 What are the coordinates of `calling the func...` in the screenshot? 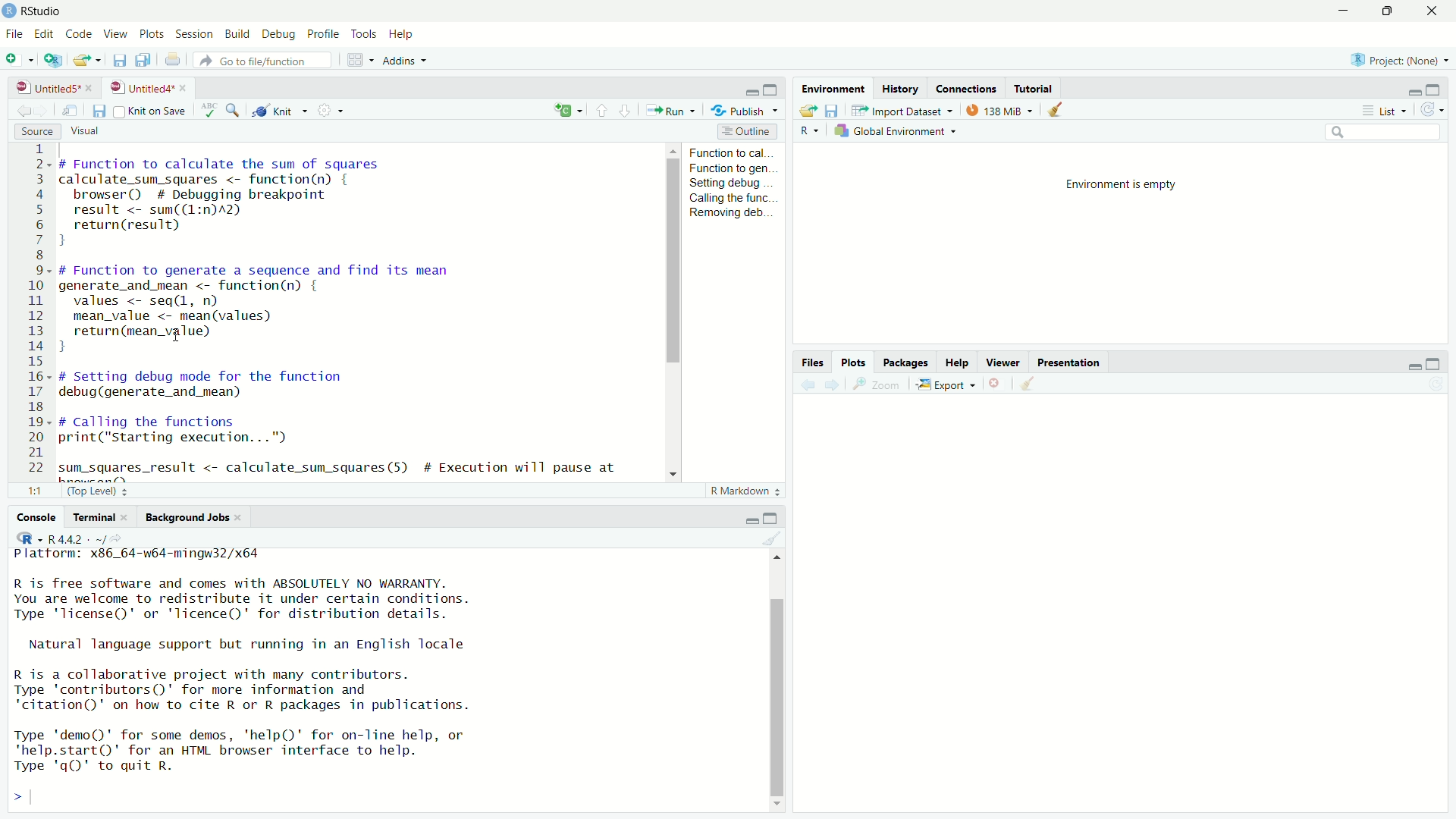 It's located at (736, 199).